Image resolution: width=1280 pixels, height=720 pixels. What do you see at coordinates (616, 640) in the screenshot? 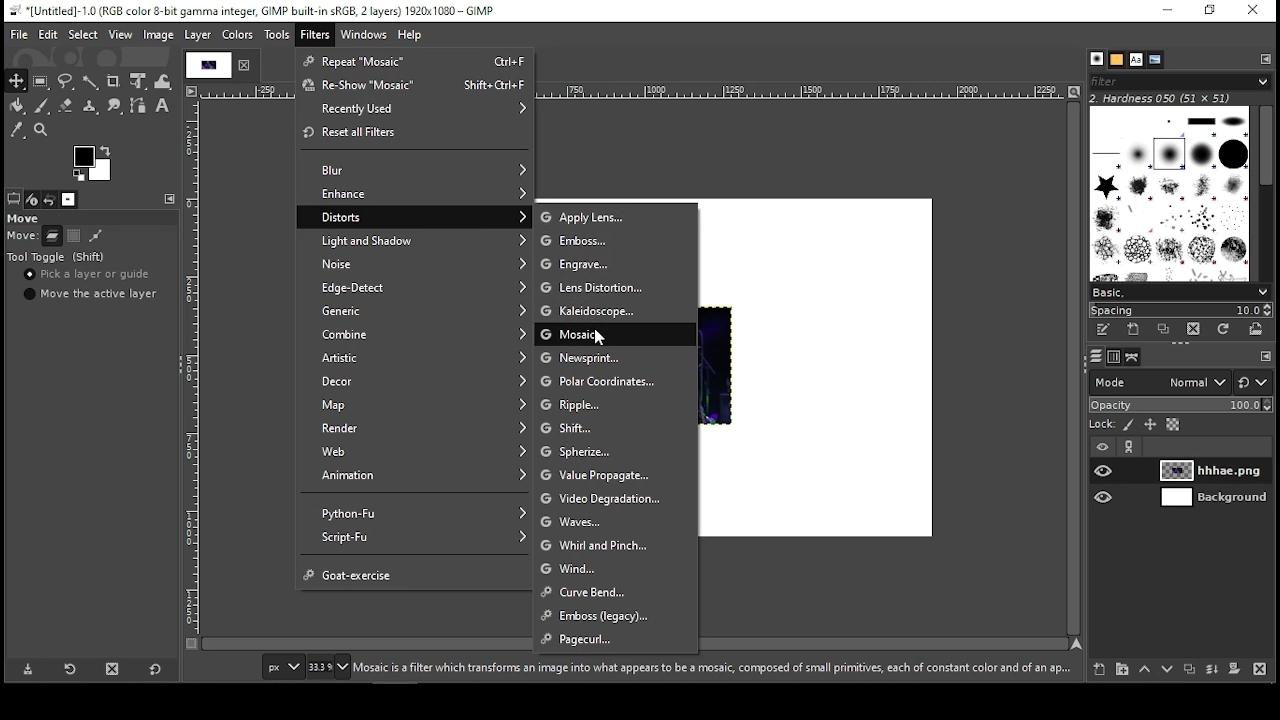
I see `pagecurl` at bounding box center [616, 640].